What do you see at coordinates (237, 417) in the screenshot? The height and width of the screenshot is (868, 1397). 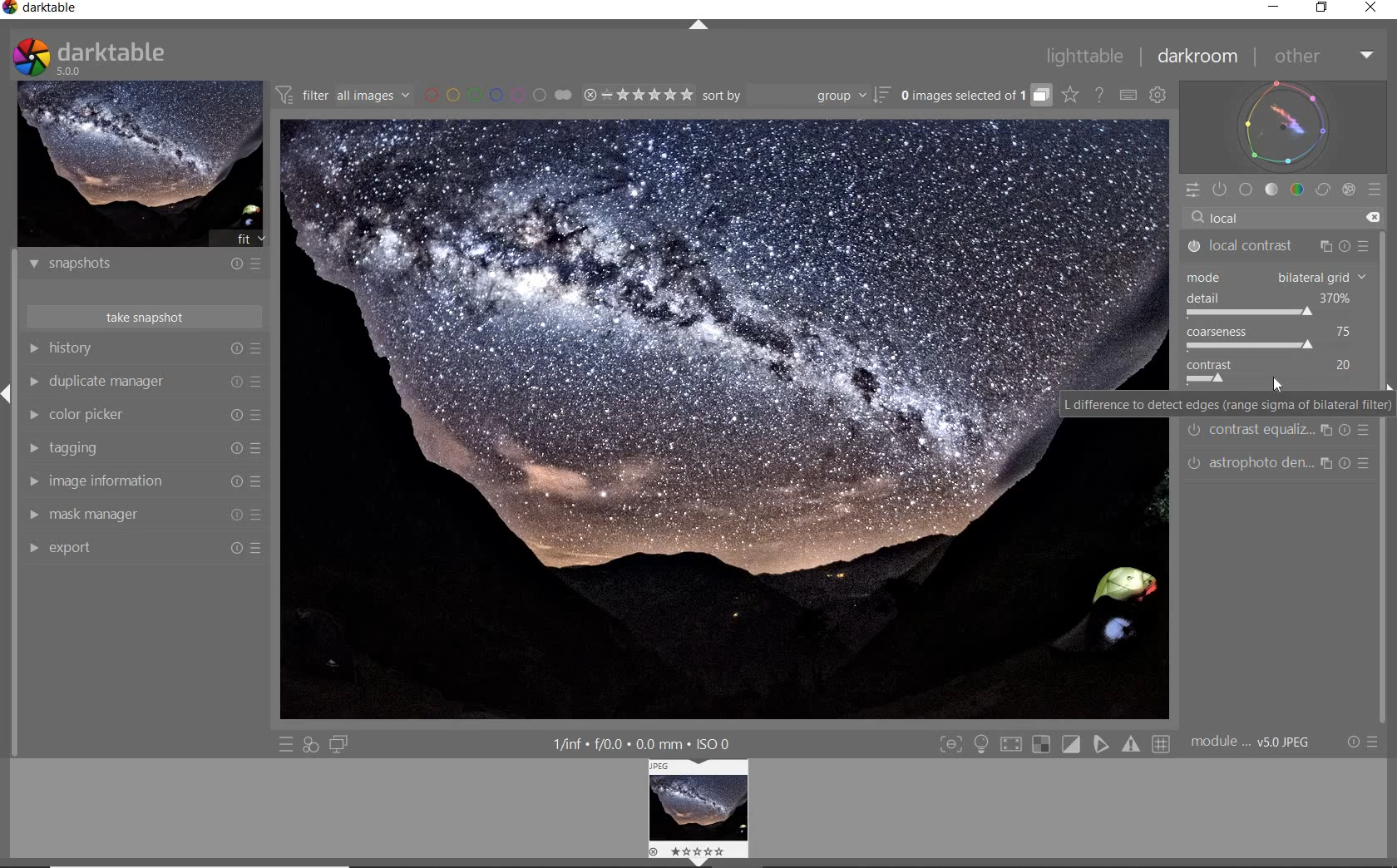 I see `Reset` at bounding box center [237, 417].